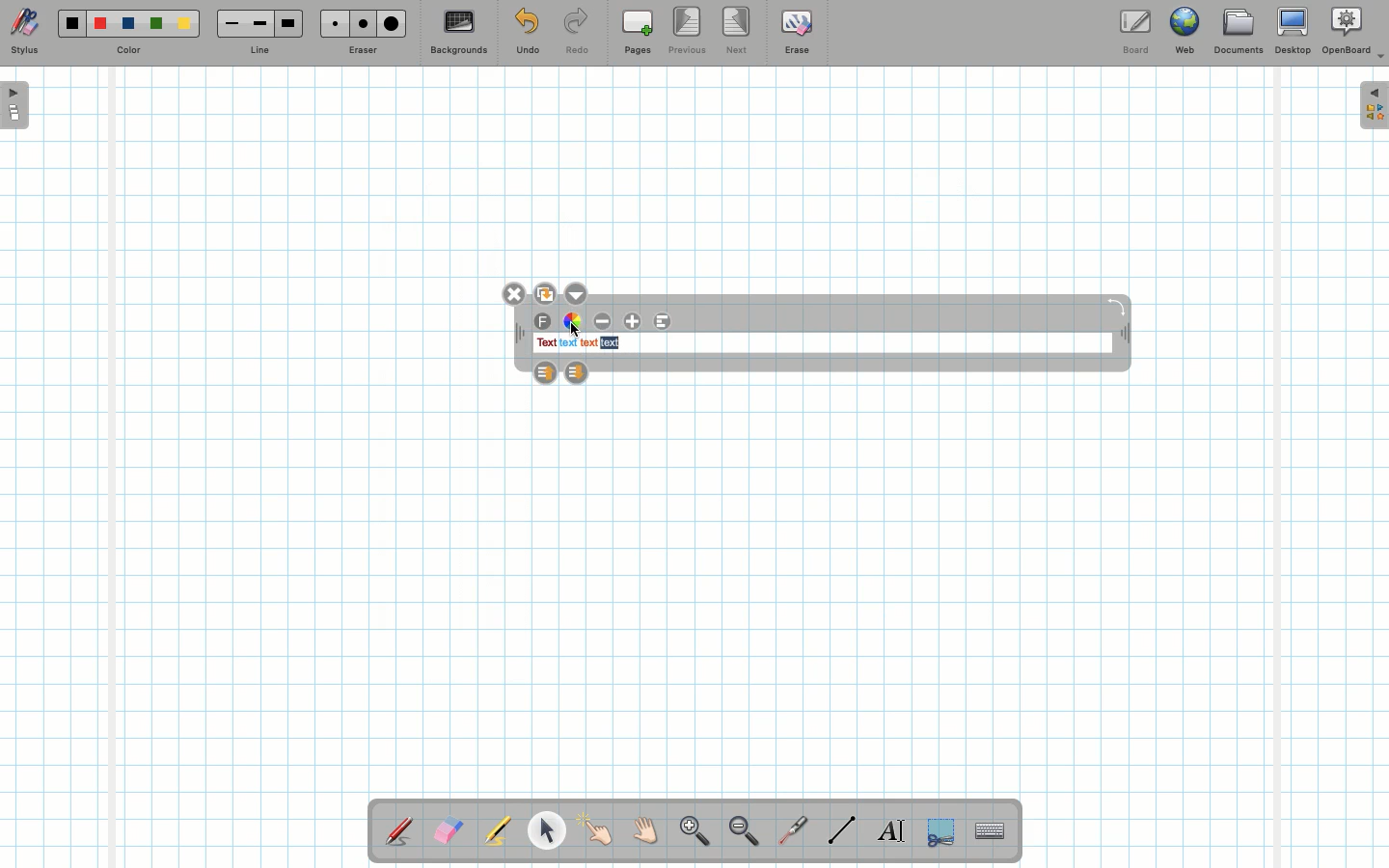 This screenshot has width=1389, height=868. Describe the element at coordinates (496, 832) in the screenshot. I see `Highlighter` at that location.